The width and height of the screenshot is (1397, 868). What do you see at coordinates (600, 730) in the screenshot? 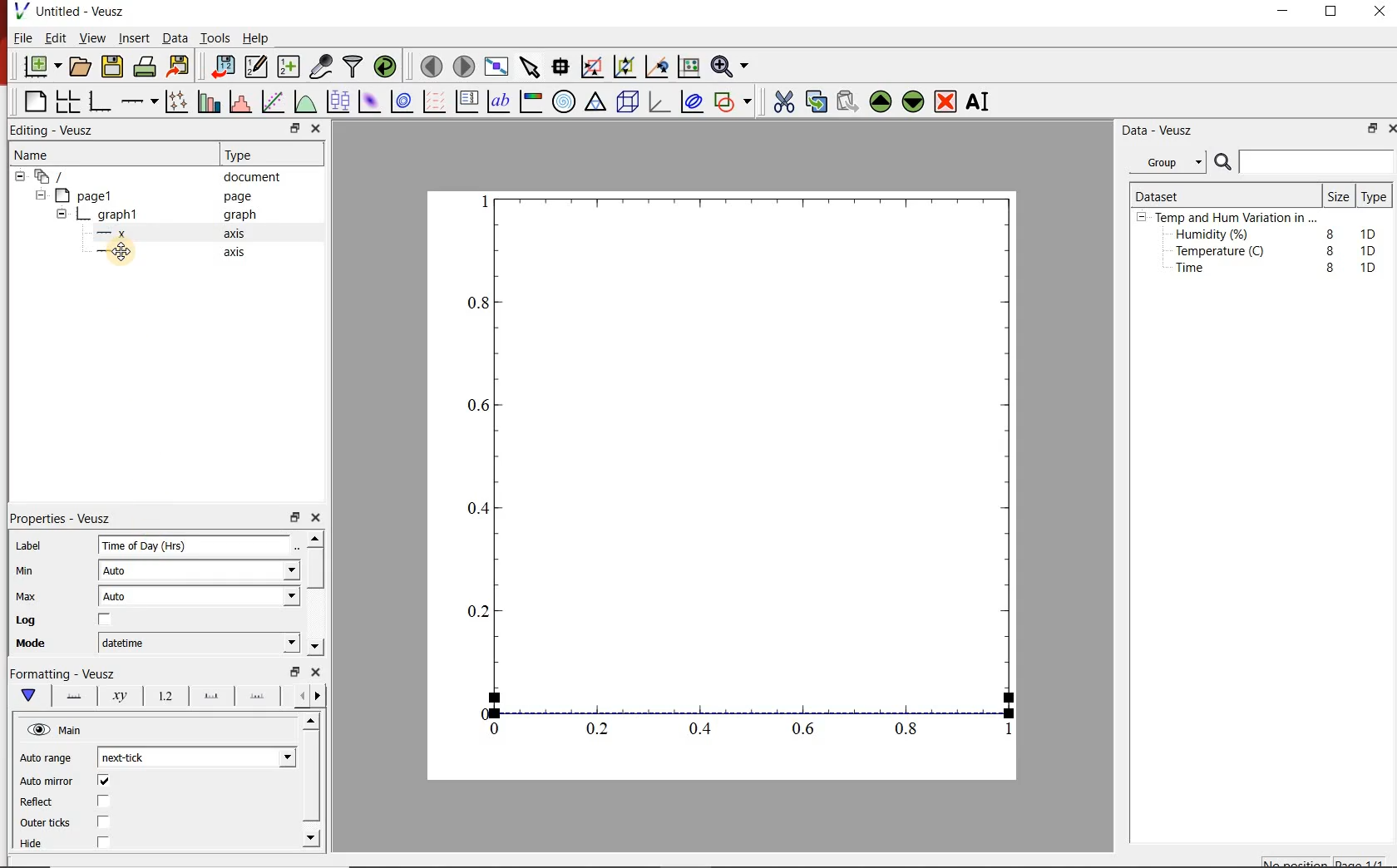
I see `0.2` at bounding box center [600, 730].